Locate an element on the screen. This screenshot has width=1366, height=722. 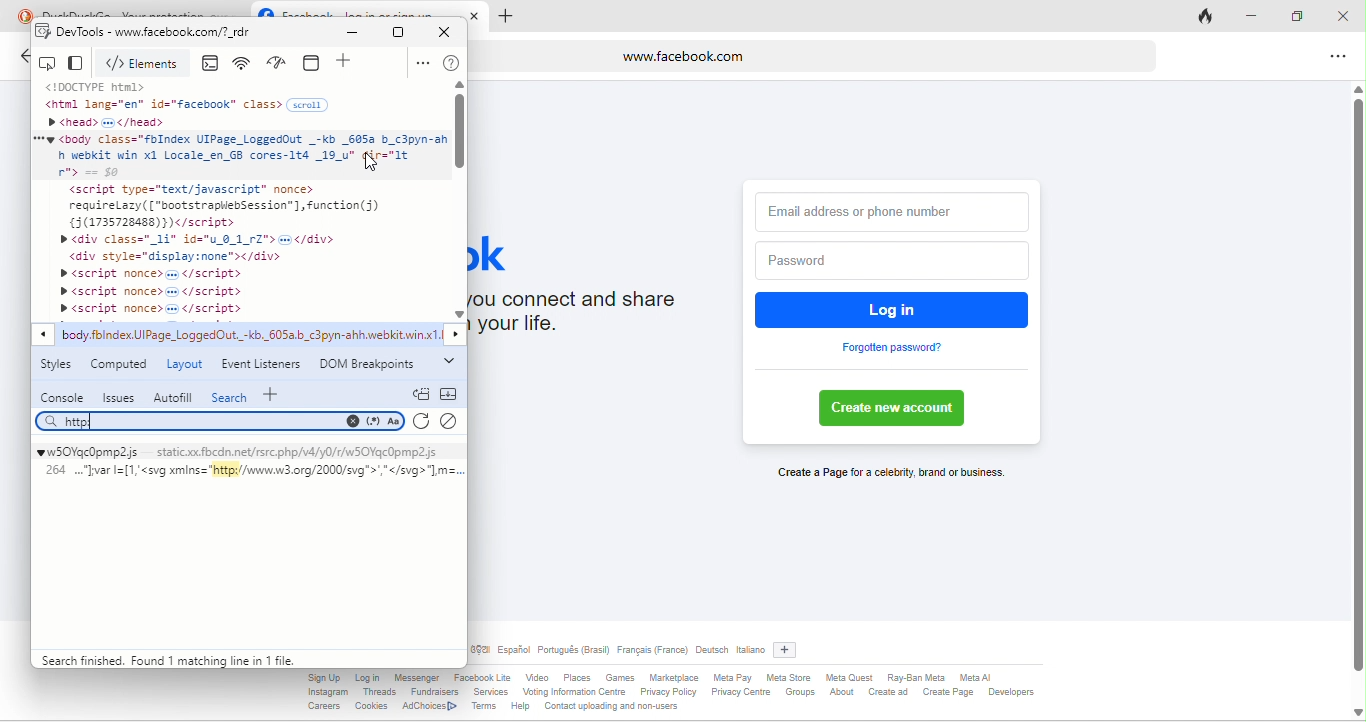
add is located at coordinates (275, 393).